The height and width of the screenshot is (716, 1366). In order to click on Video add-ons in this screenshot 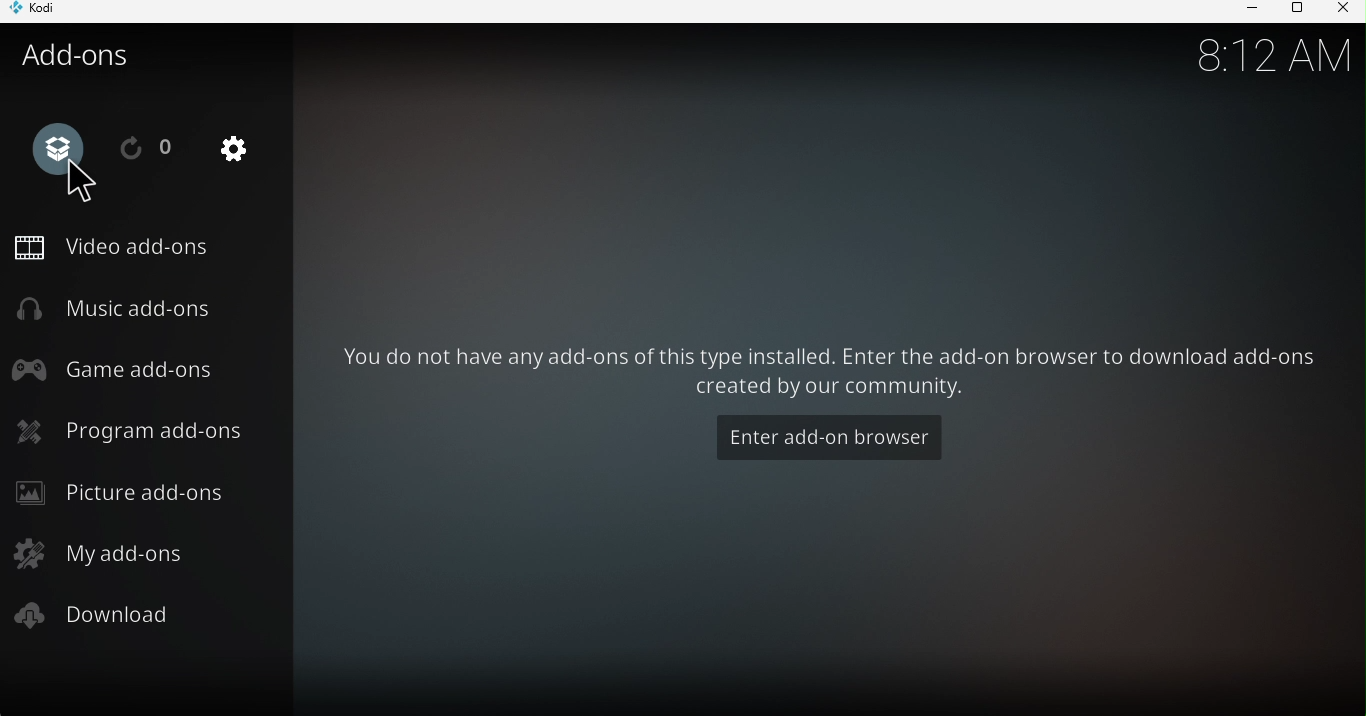, I will do `click(115, 246)`.